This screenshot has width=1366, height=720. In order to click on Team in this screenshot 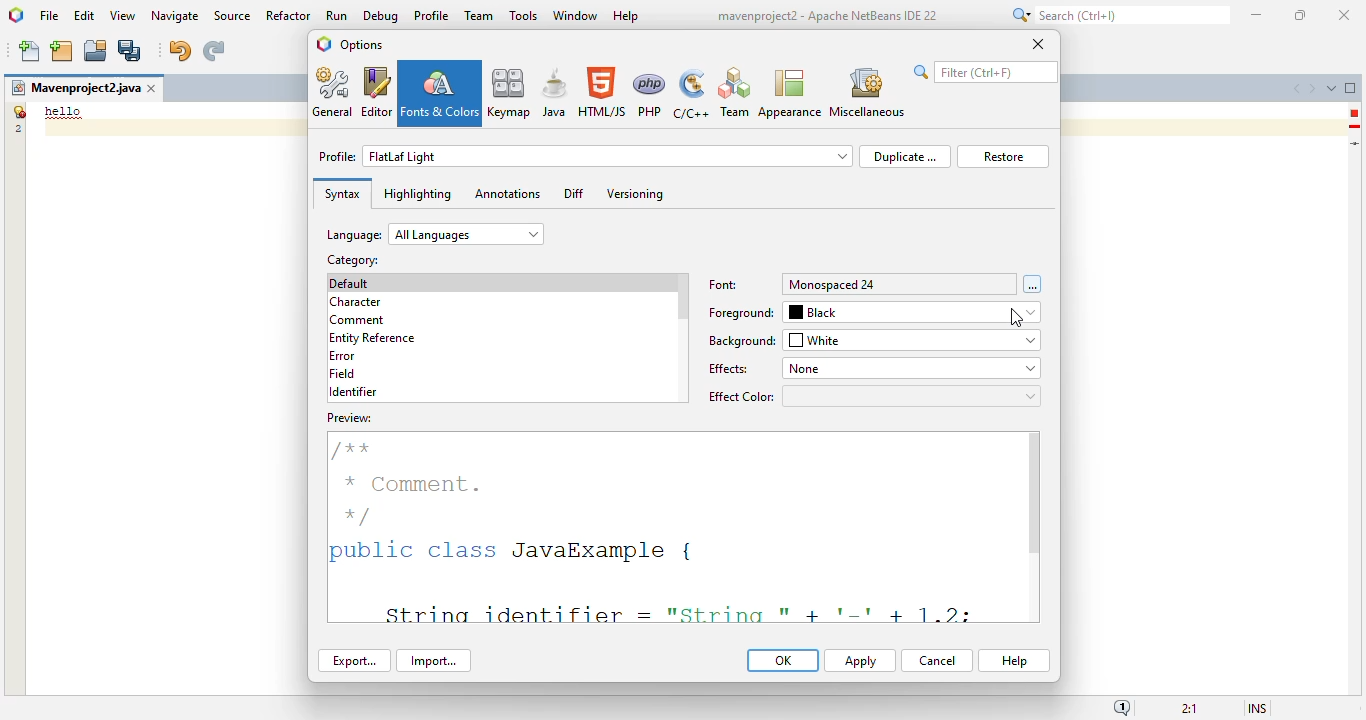, I will do `click(734, 93)`.